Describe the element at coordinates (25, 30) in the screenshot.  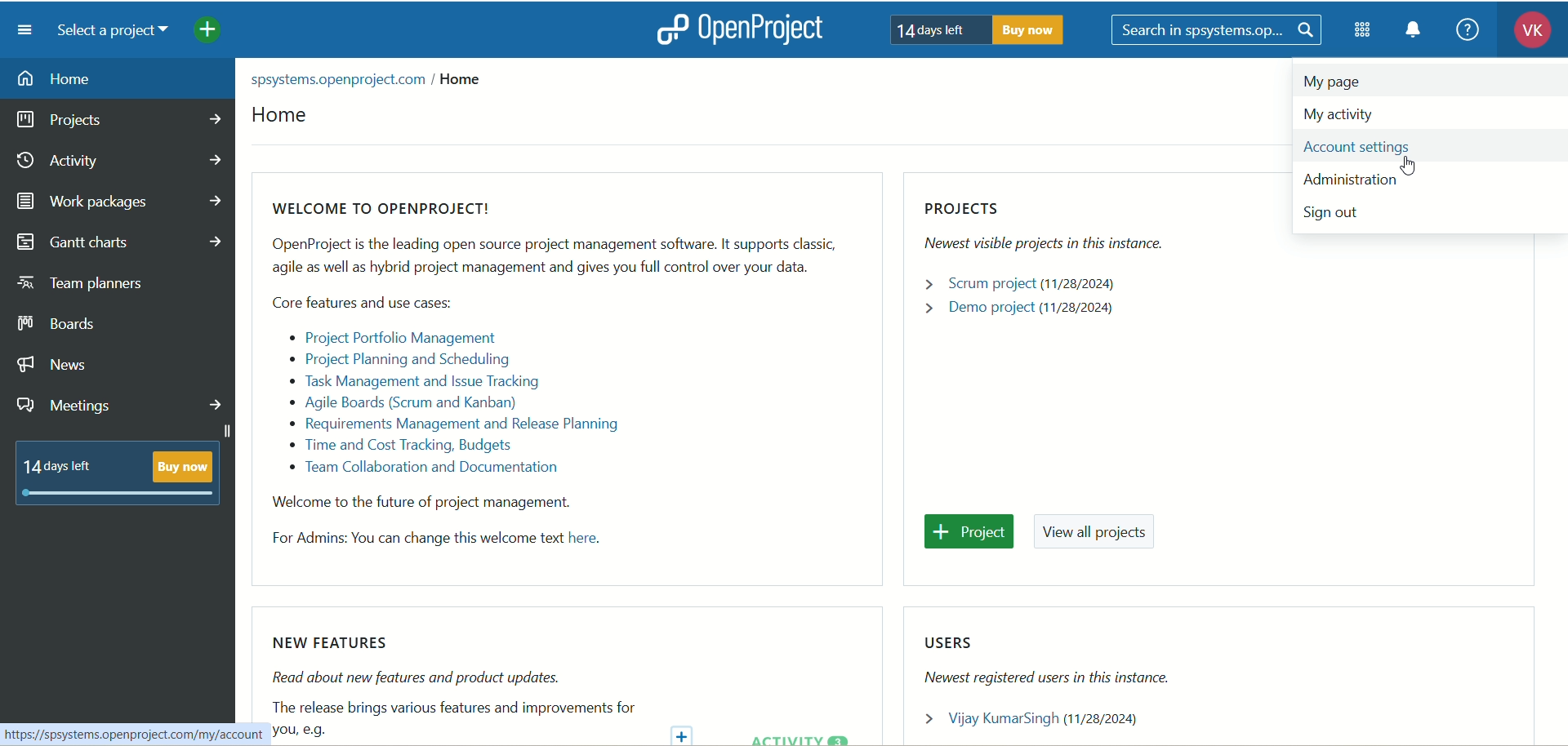
I see `menu` at that location.